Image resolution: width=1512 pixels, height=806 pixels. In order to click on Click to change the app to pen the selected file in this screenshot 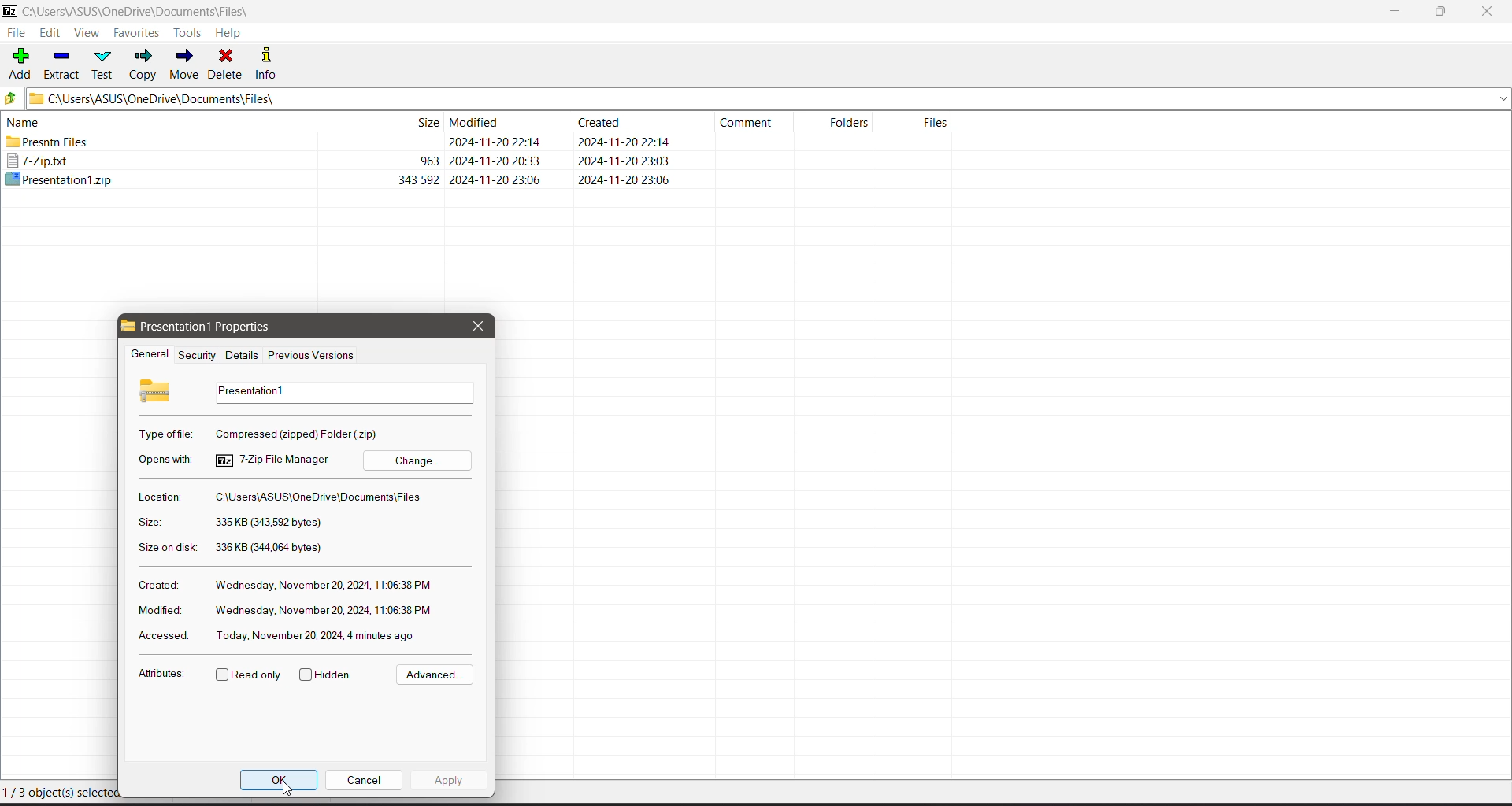, I will do `click(417, 460)`.